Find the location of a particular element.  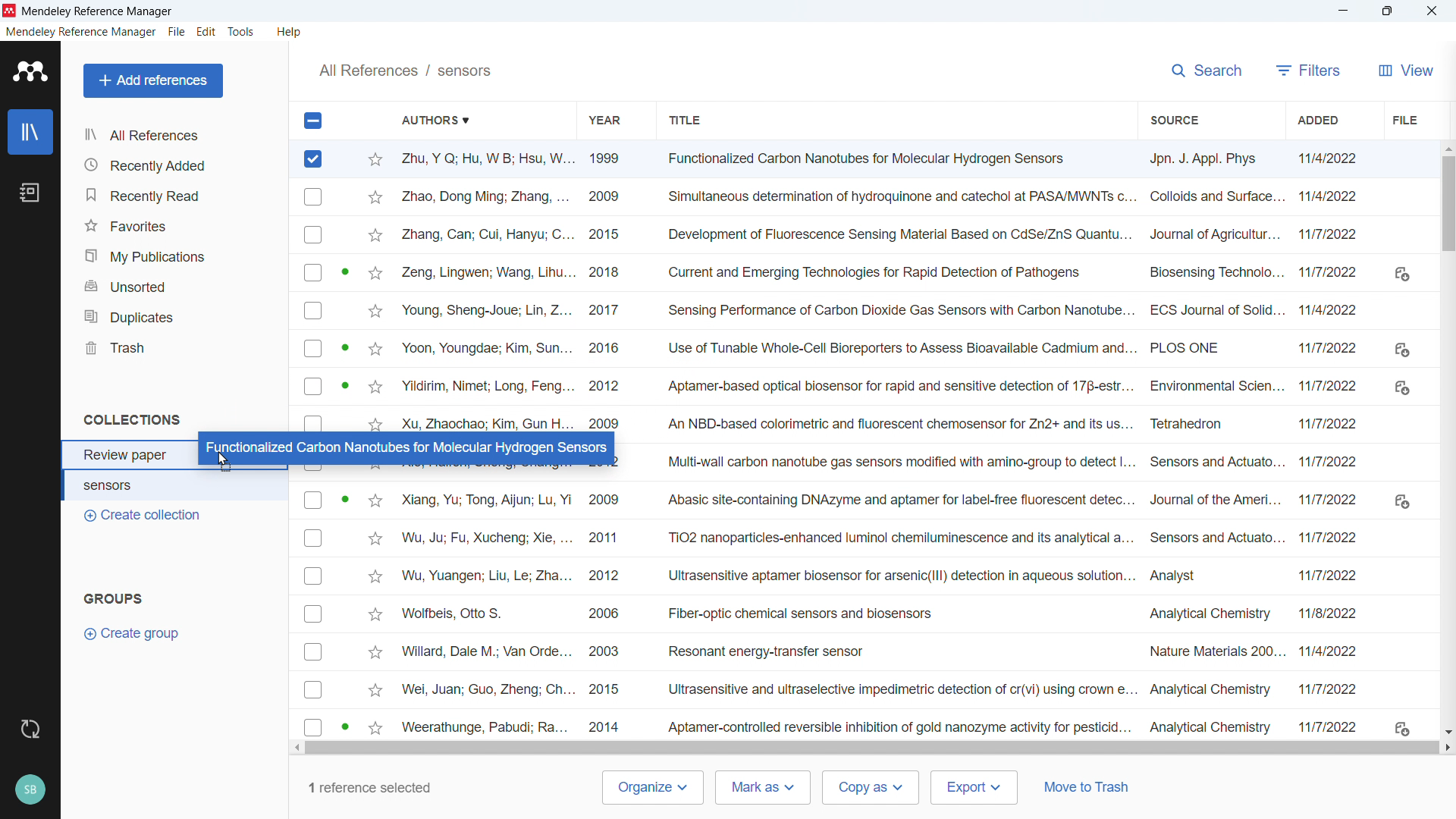

Mark as  is located at coordinates (762, 788).